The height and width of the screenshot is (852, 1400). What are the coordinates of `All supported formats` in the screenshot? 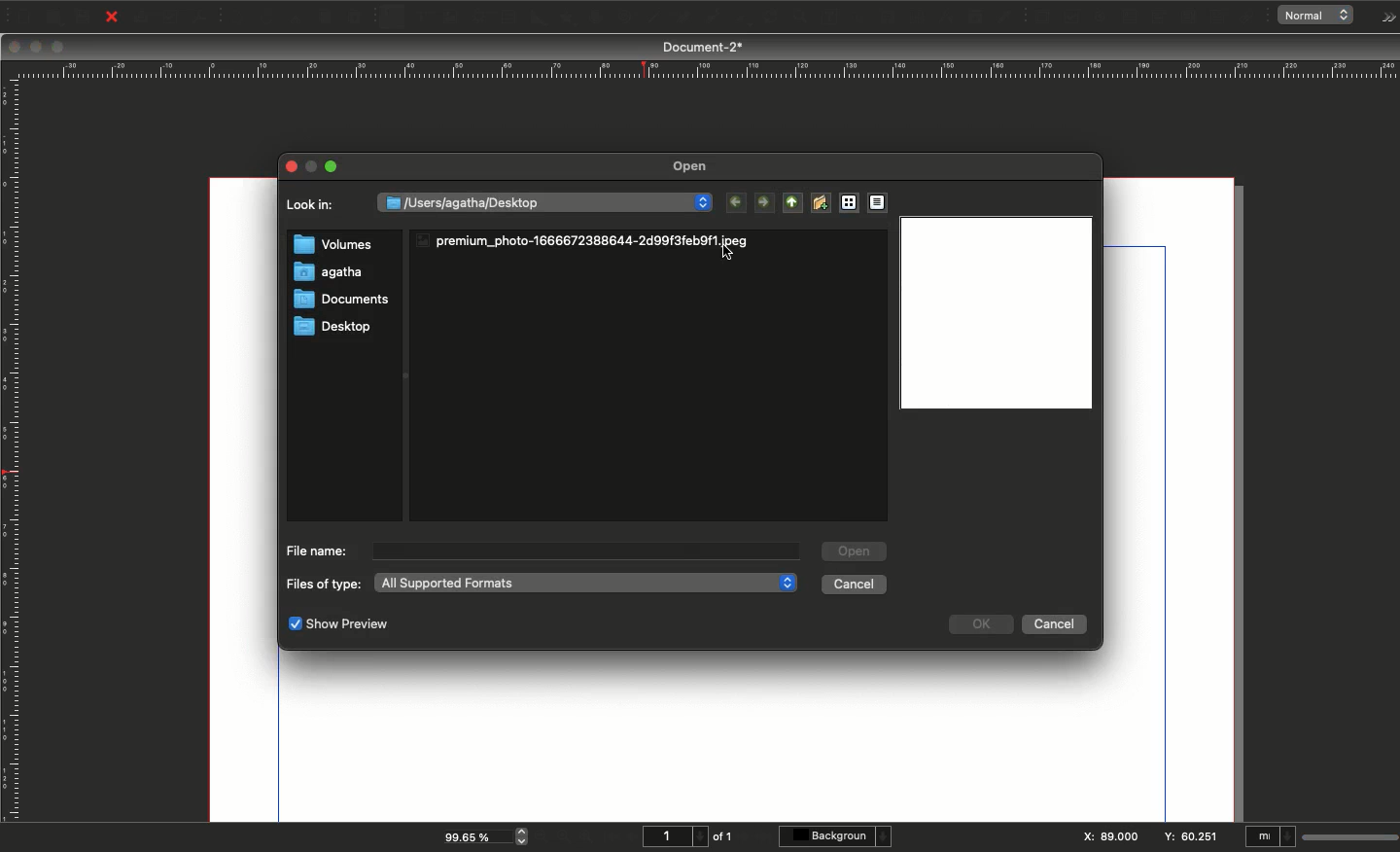 It's located at (584, 583).